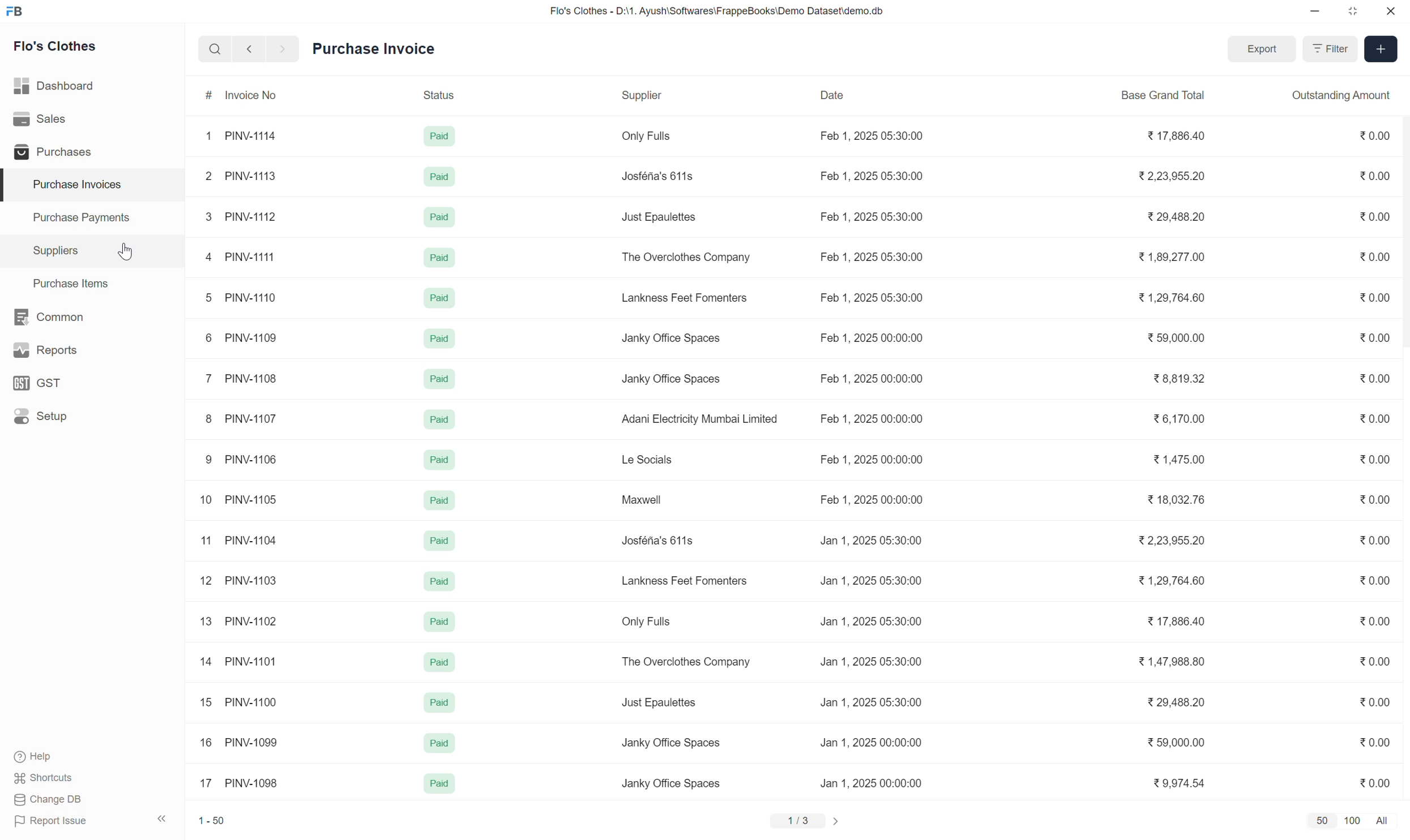 Image resolution: width=1410 pixels, height=840 pixels. What do you see at coordinates (871, 540) in the screenshot?
I see `Jan 1, 2025 05:30:00` at bounding box center [871, 540].